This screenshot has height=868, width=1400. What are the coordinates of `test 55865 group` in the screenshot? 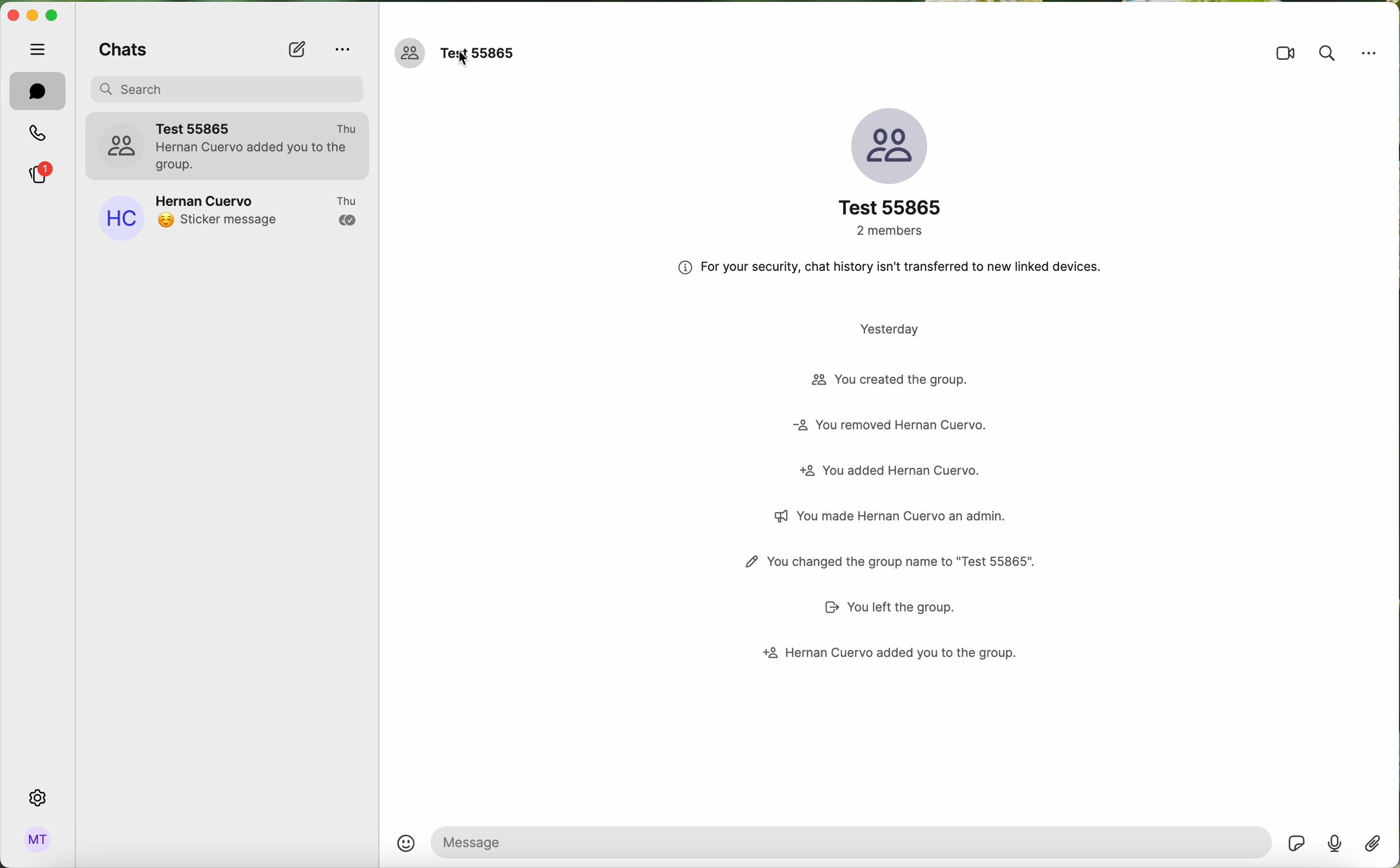 It's located at (228, 144).